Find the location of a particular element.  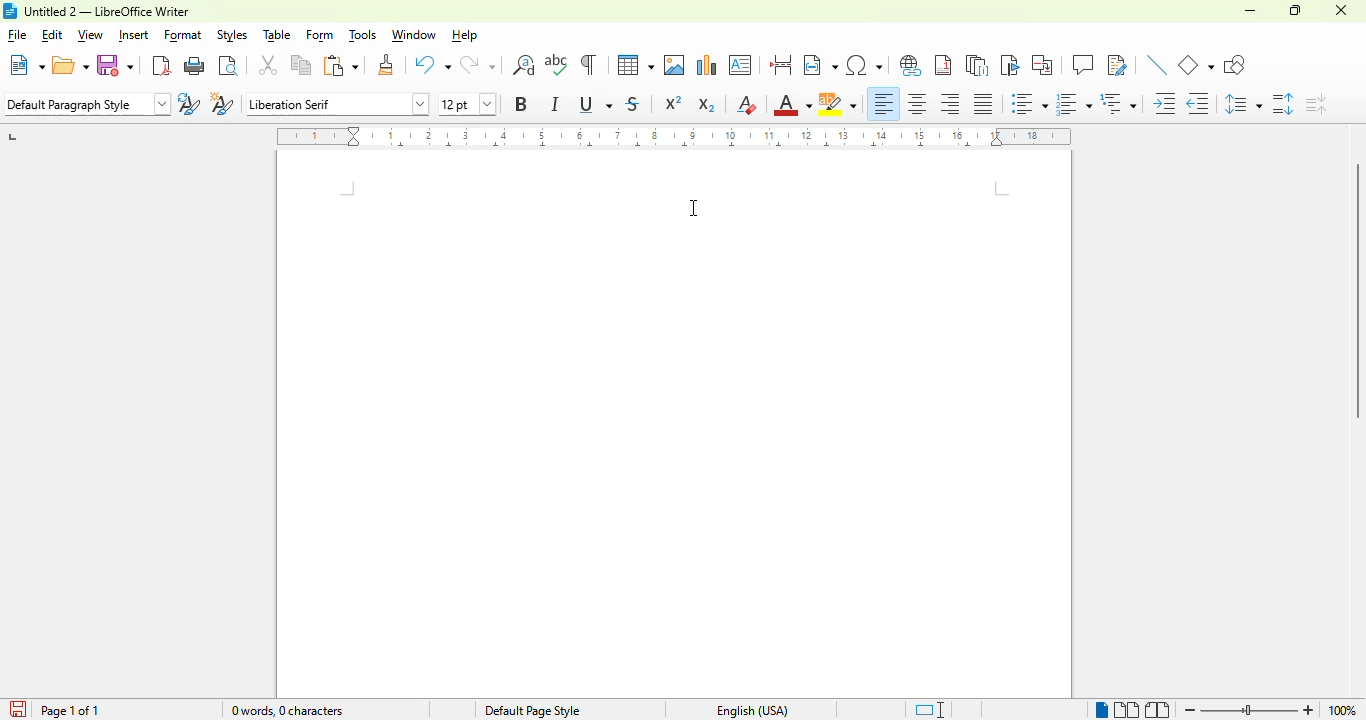

insert line is located at coordinates (1156, 64).